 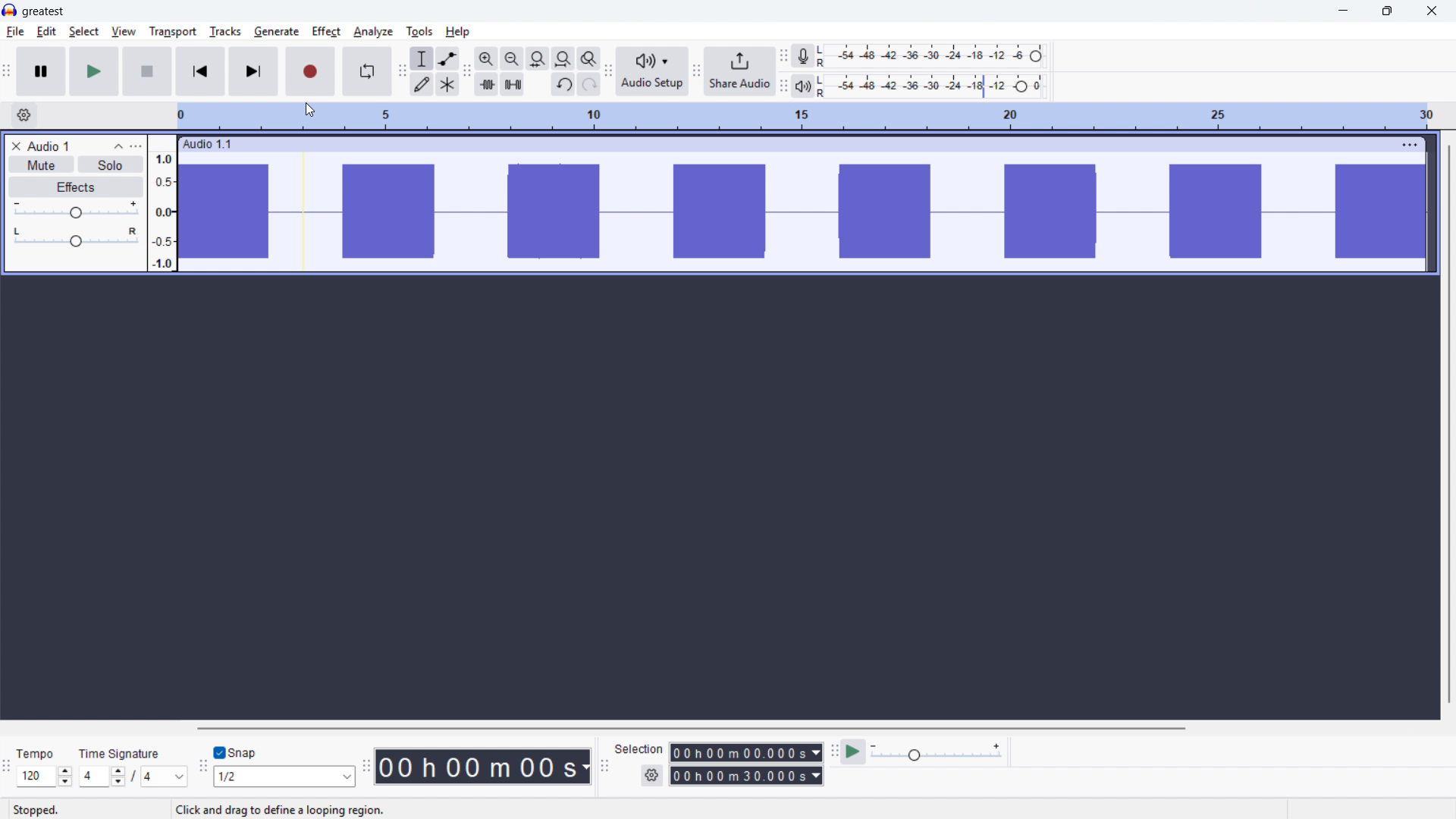 I want to click on recording meter toolbar, so click(x=783, y=56).